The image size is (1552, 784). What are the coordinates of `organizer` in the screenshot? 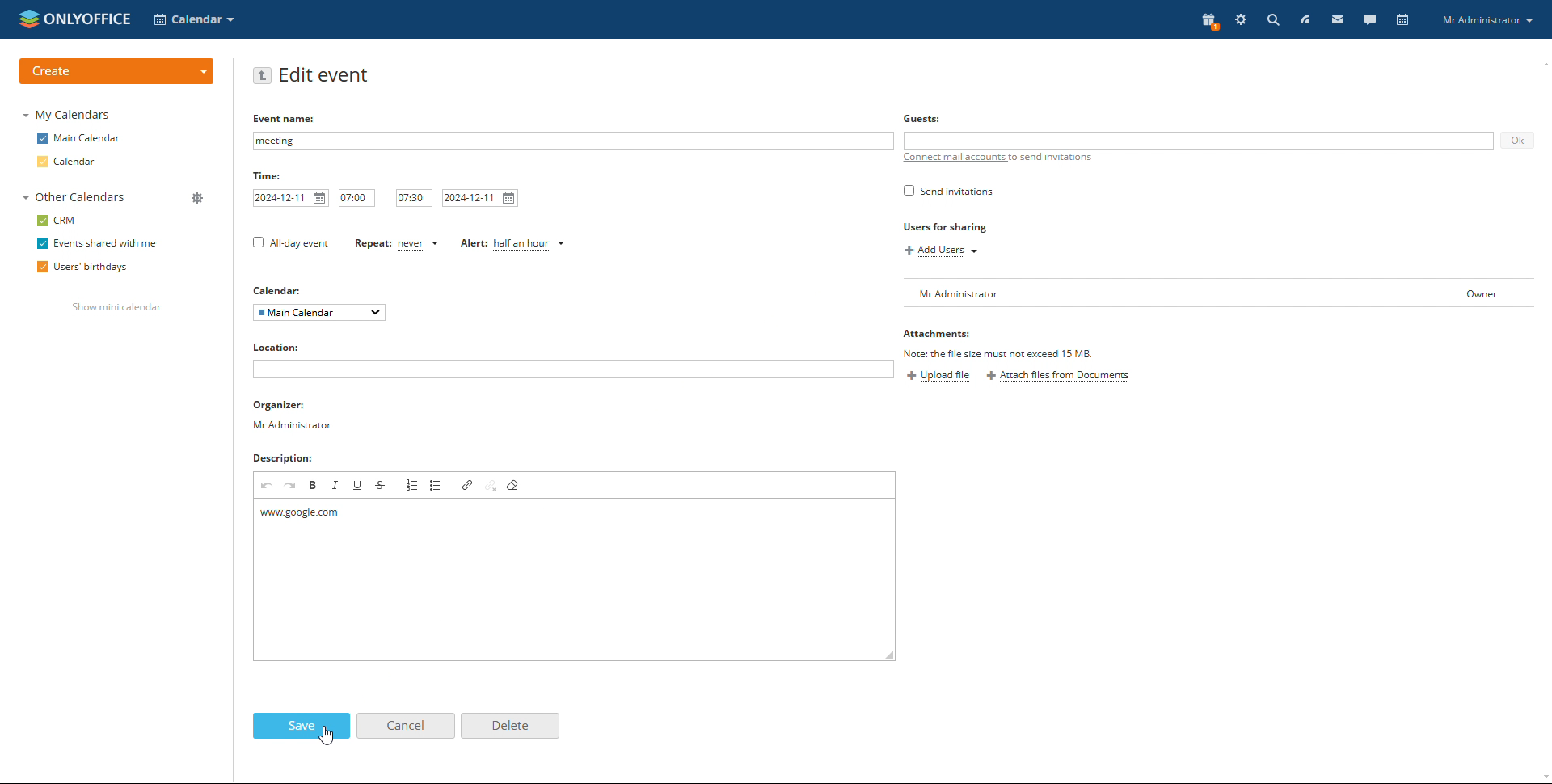 It's located at (295, 415).